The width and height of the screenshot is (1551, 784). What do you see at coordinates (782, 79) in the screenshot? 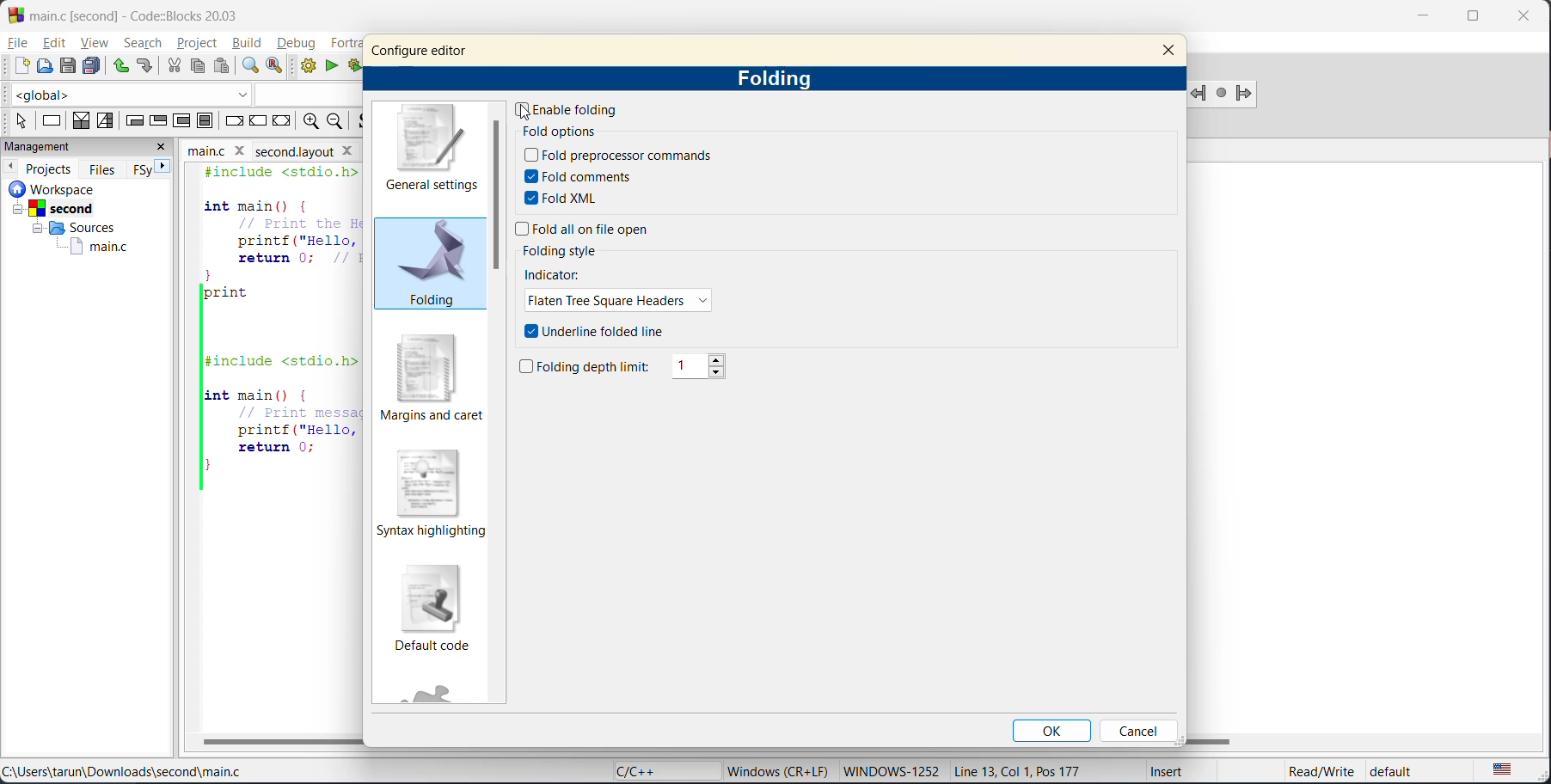
I see `folding` at bounding box center [782, 79].